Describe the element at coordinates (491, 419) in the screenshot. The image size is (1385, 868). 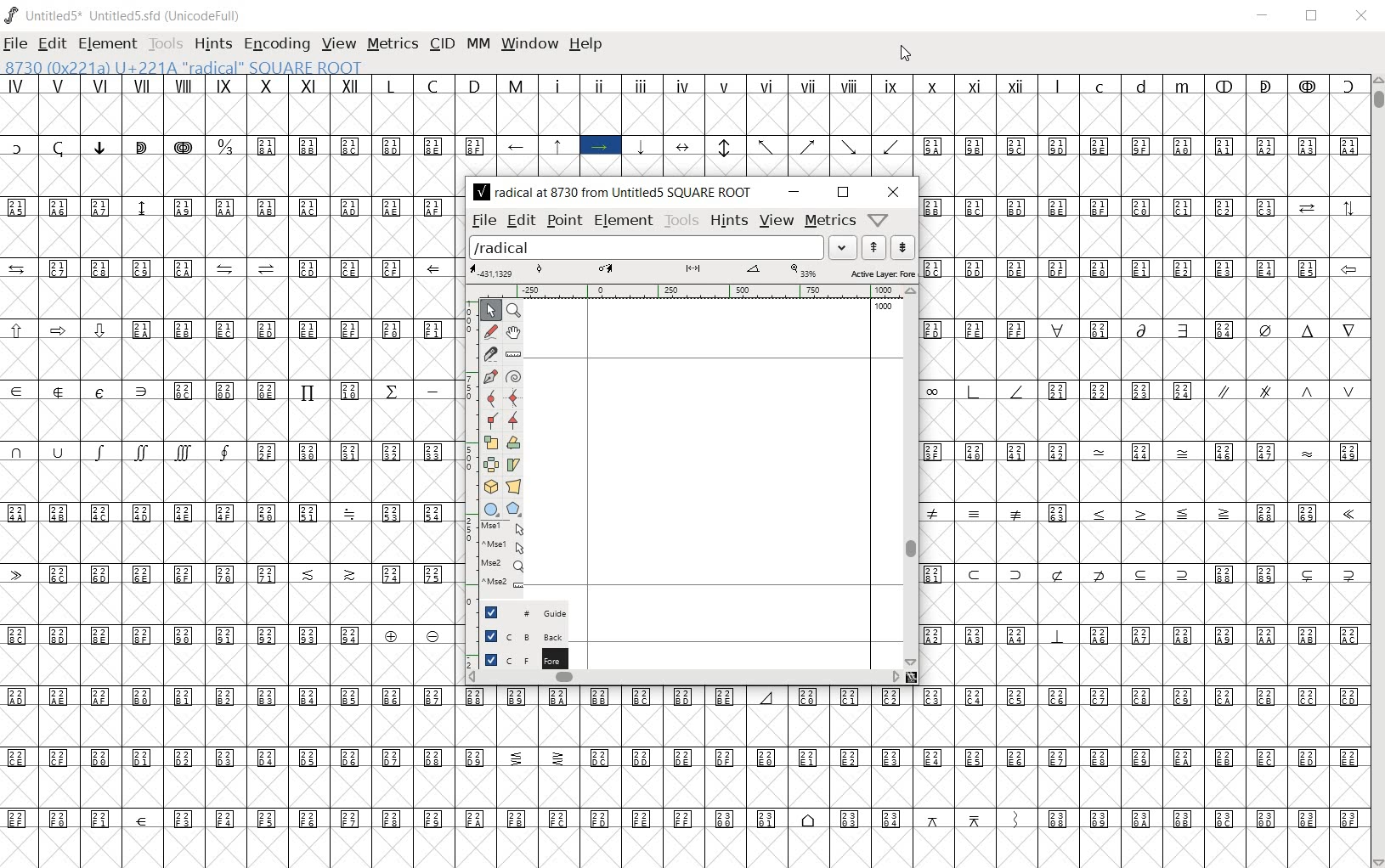
I see `Add a corner point` at that location.